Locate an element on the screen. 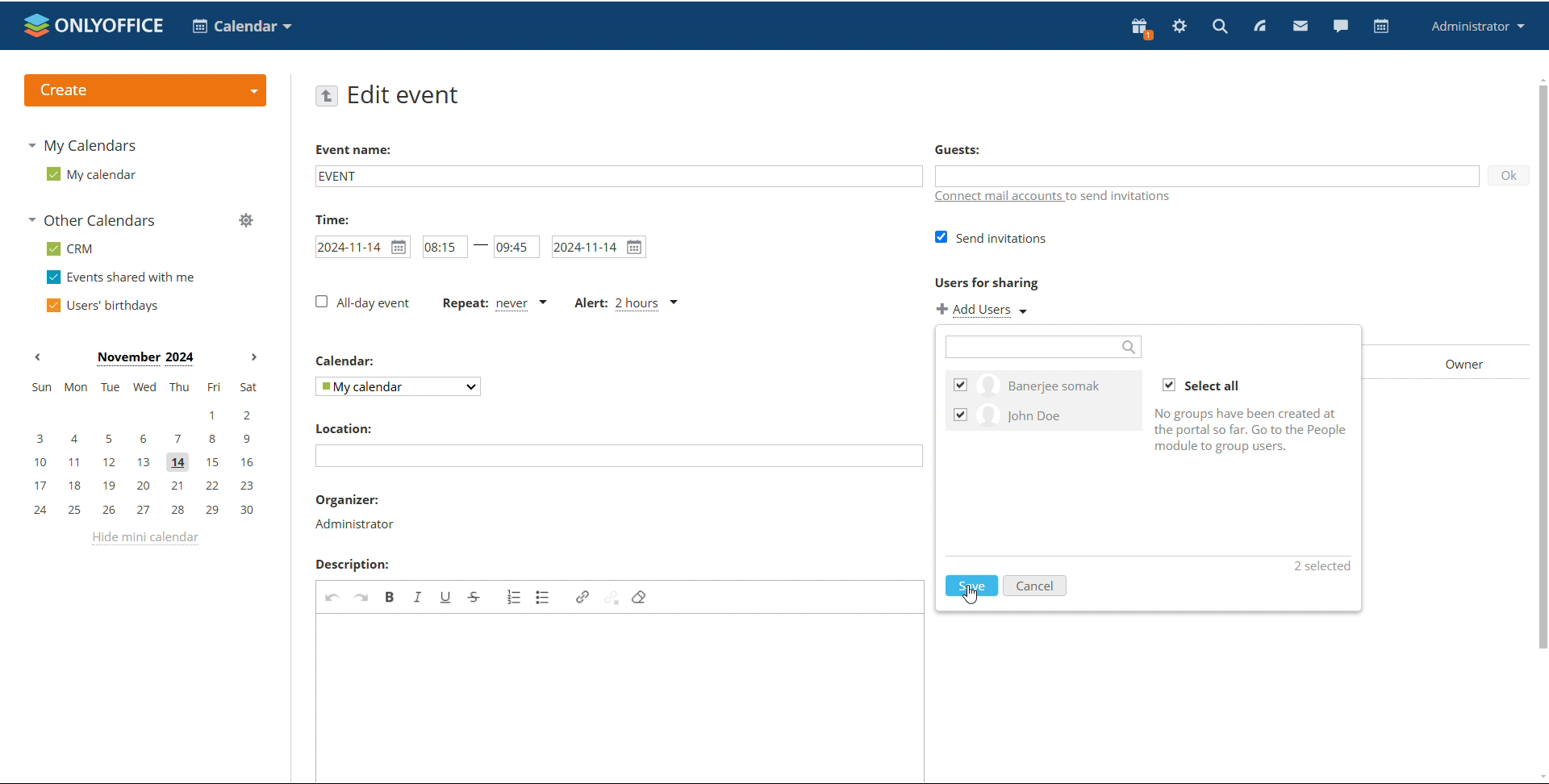 The image size is (1549, 784). link is located at coordinates (583, 597).